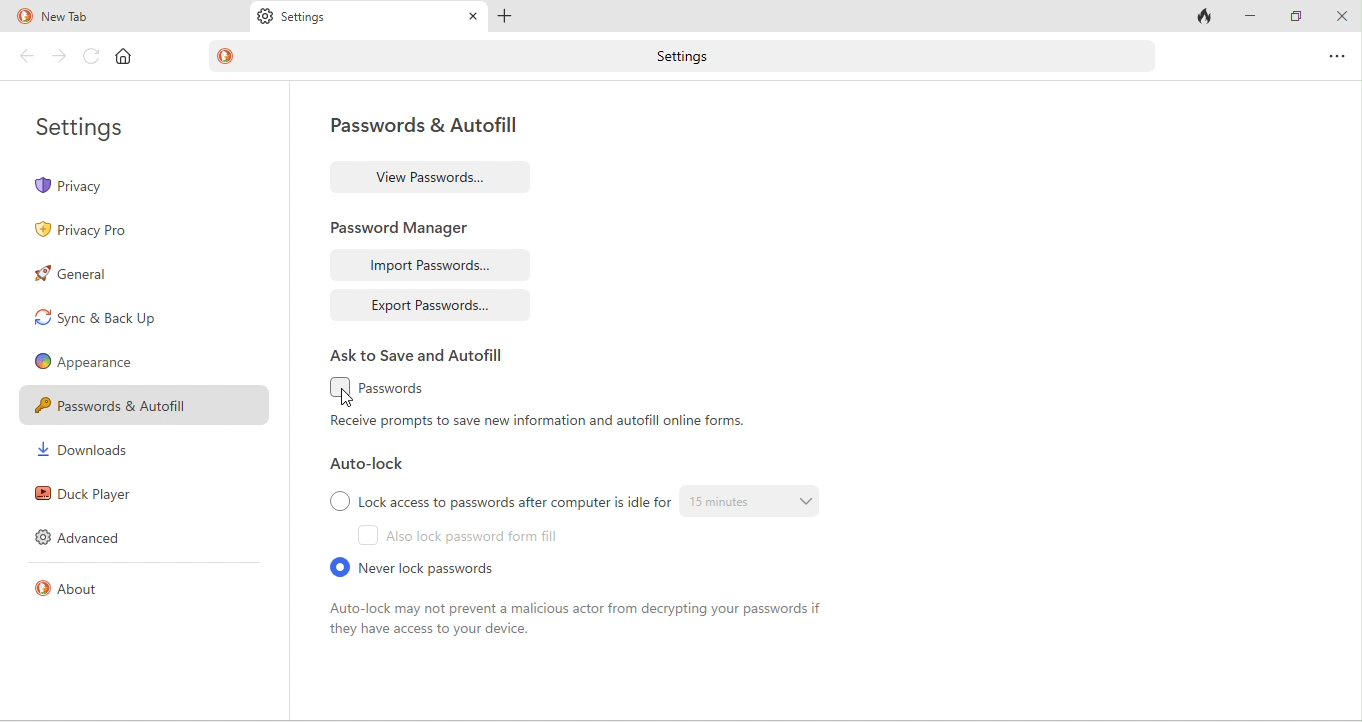  Describe the element at coordinates (1299, 18) in the screenshot. I see `maximize` at that location.